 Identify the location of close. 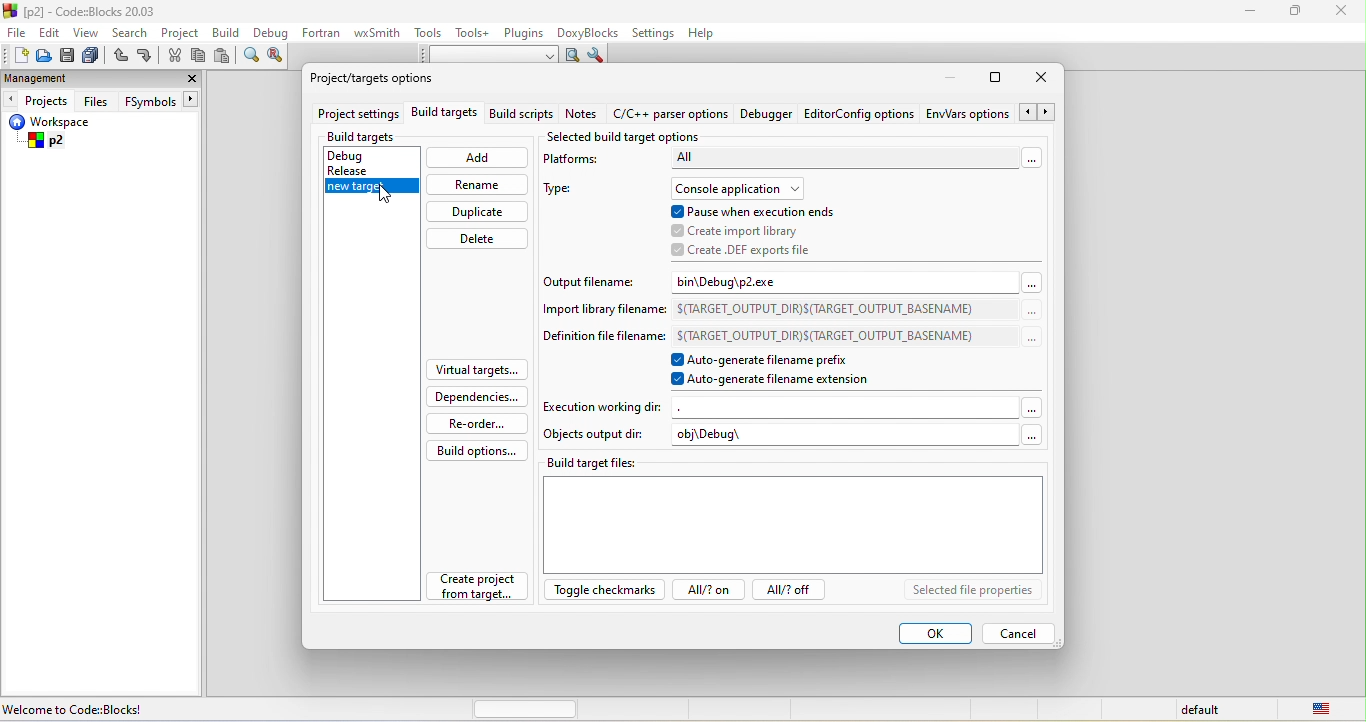
(189, 78).